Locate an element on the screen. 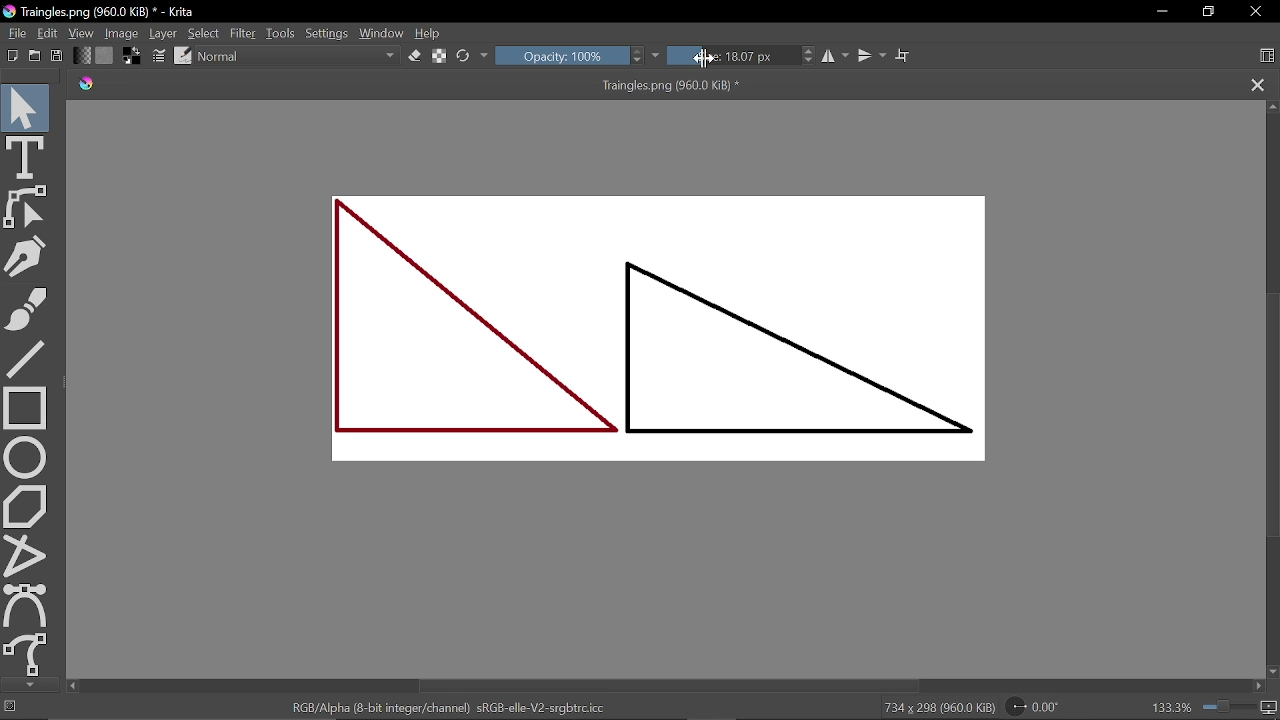 This screenshot has height=720, width=1280. Vertical mirror tool is located at coordinates (873, 57).